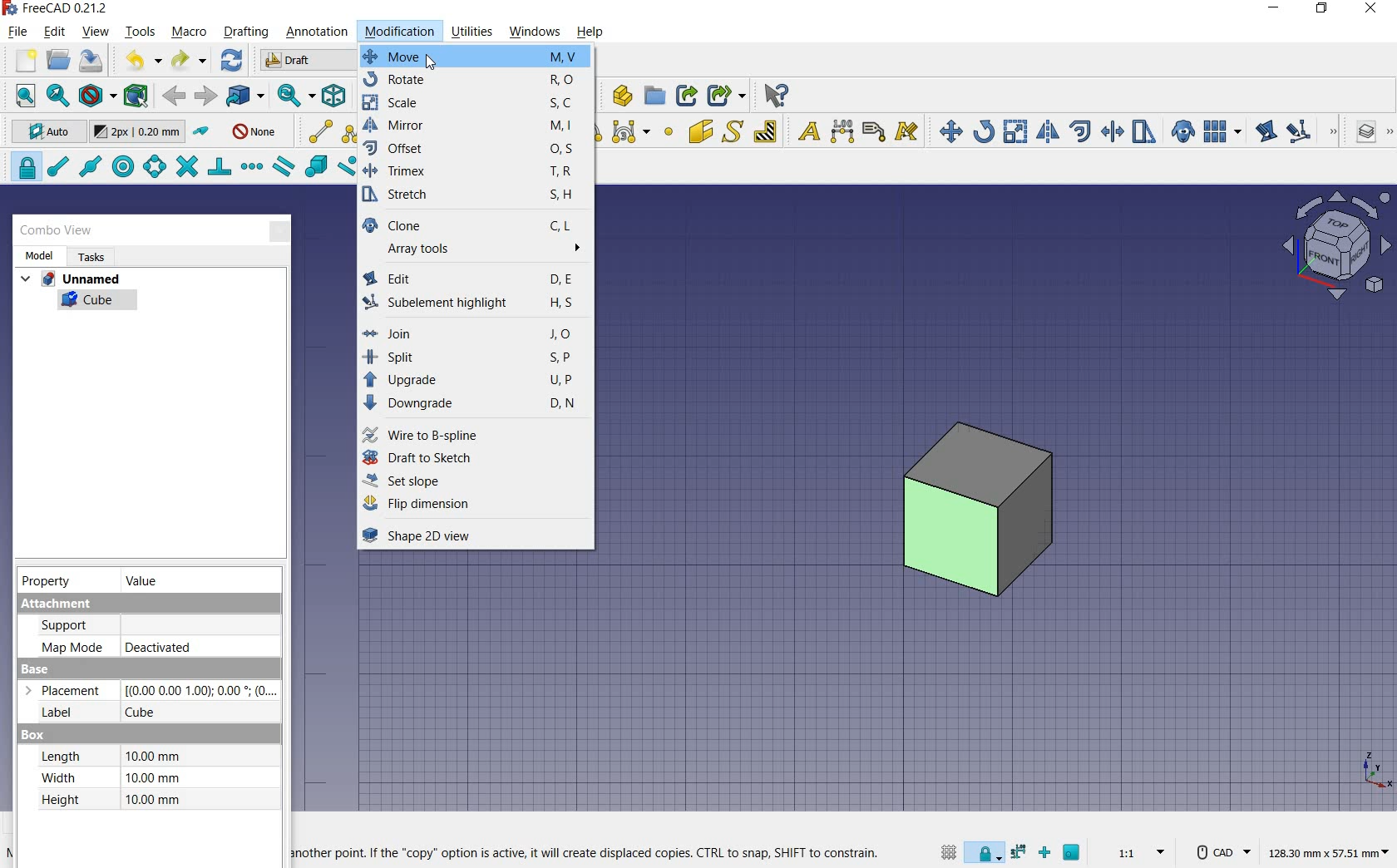  What do you see at coordinates (144, 581) in the screenshot?
I see `value` at bounding box center [144, 581].